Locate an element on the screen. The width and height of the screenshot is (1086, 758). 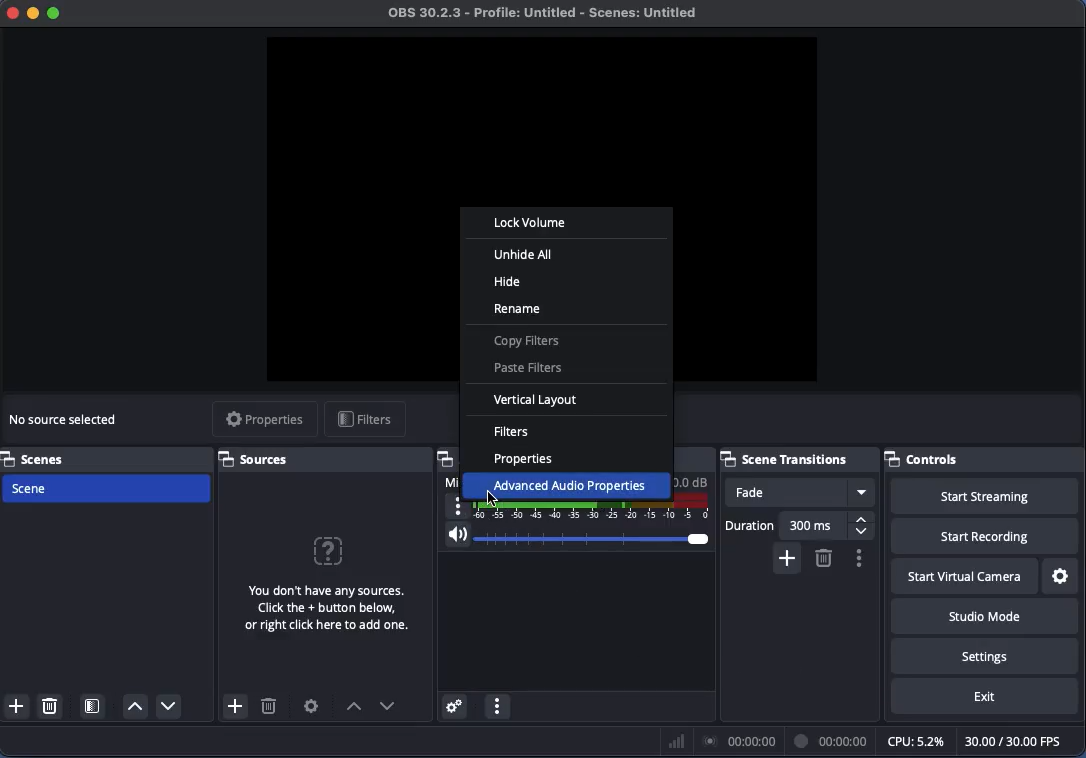
No source selected is located at coordinates (323, 580).